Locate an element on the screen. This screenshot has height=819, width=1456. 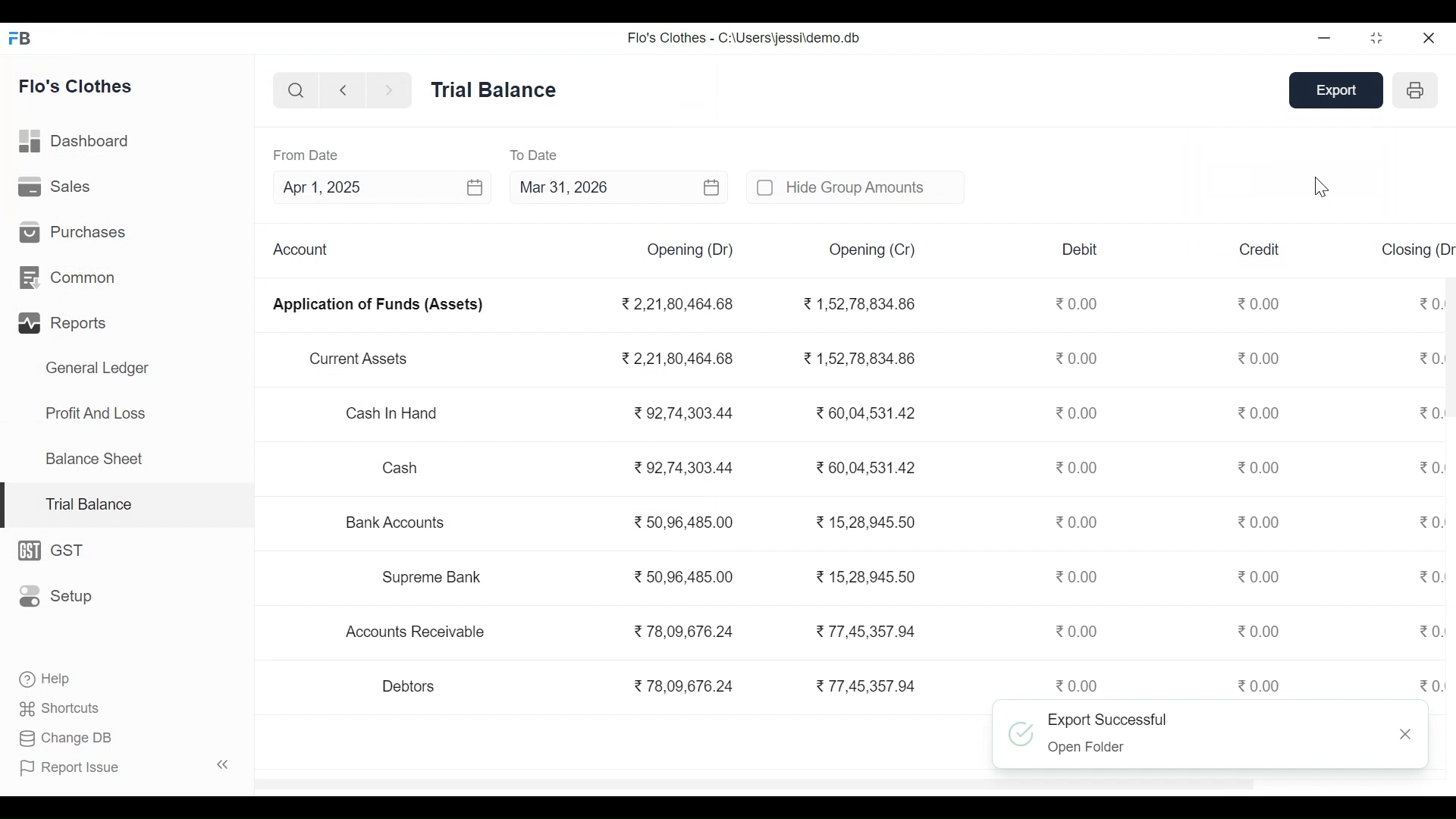
78,09,676.24 is located at coordinates (683, 686).